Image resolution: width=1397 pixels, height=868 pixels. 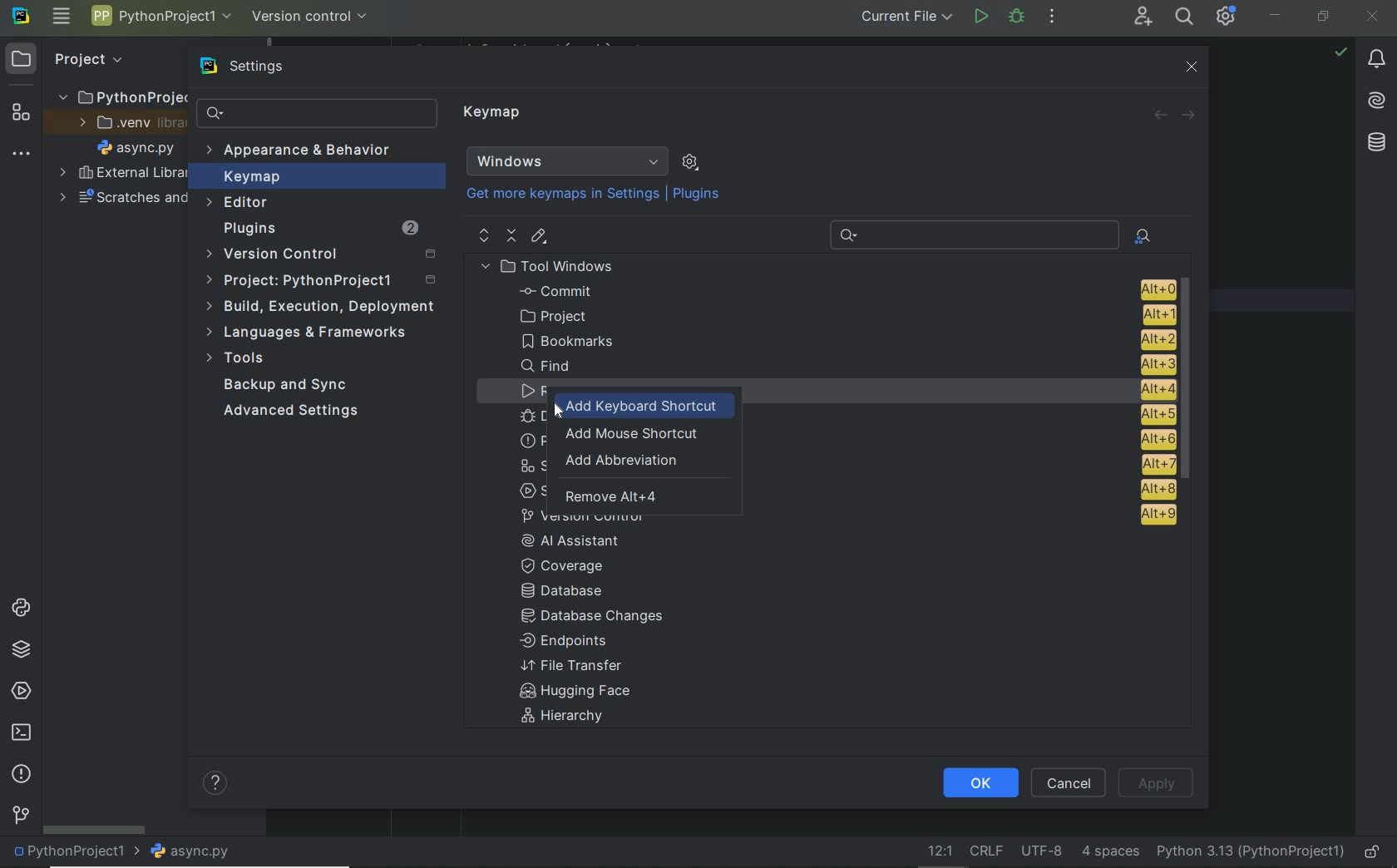 What do you see at coordinates (844, 291) in the screenshot?
I see `Commit` at bounding box center [844, 291].